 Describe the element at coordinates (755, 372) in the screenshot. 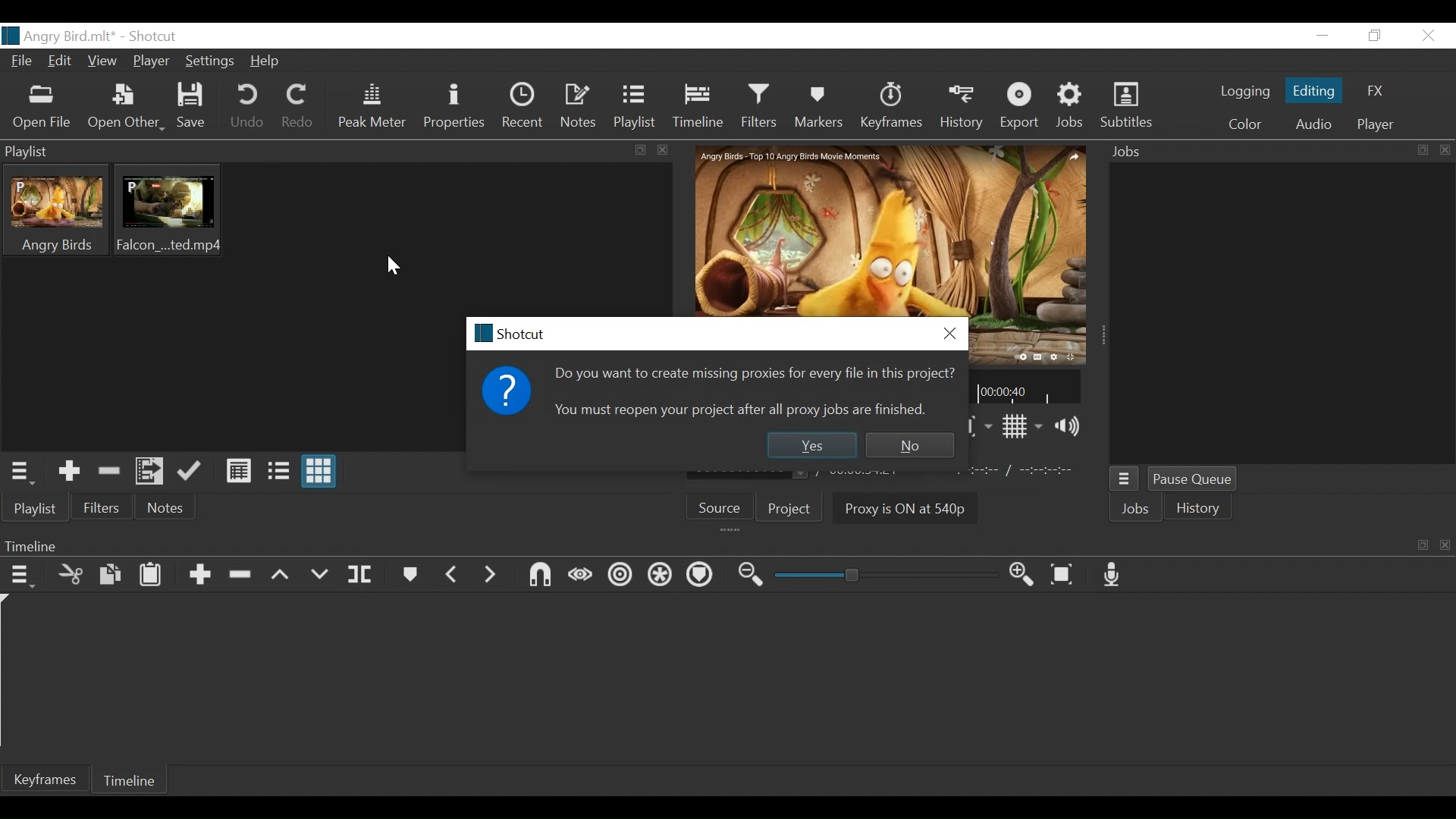

I see `Do you want to create missing proxies for every file in this project?` at that location.